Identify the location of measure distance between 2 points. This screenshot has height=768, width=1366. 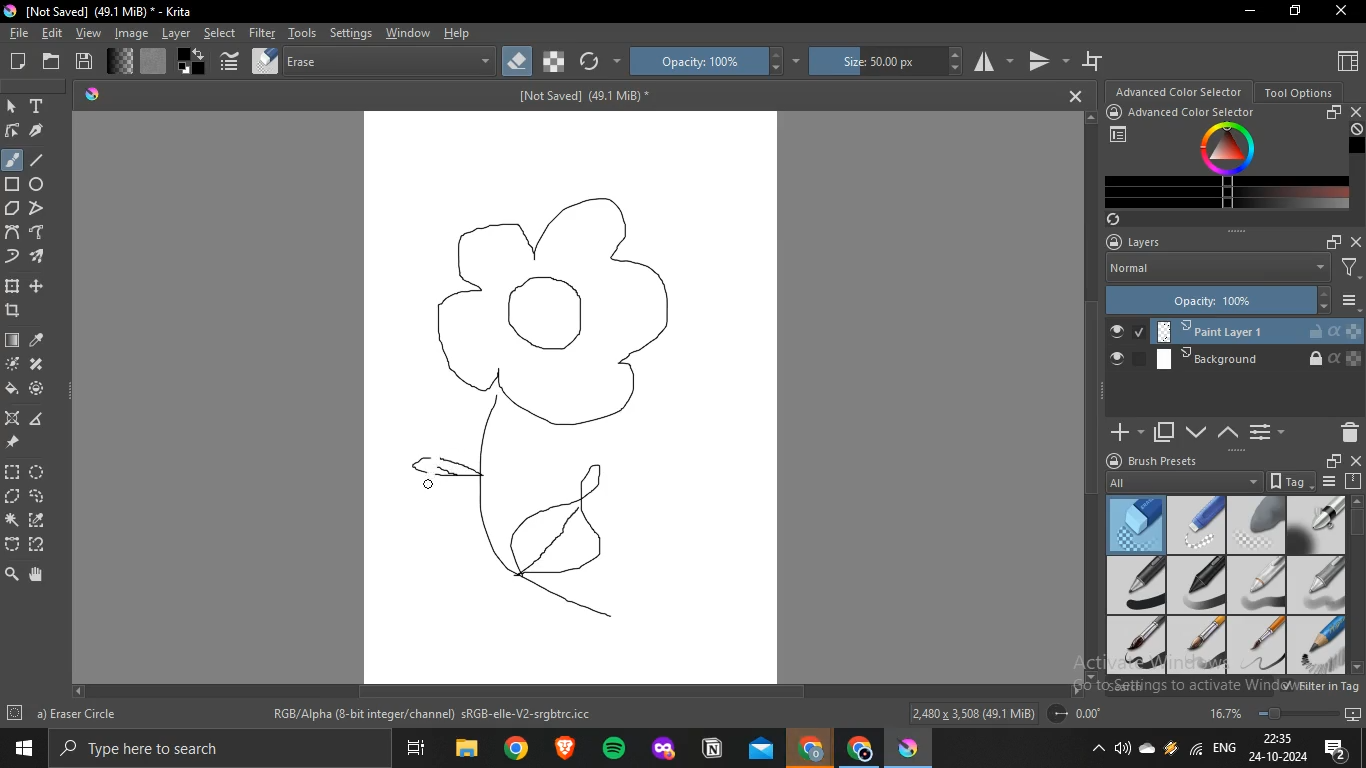
(38, 419).